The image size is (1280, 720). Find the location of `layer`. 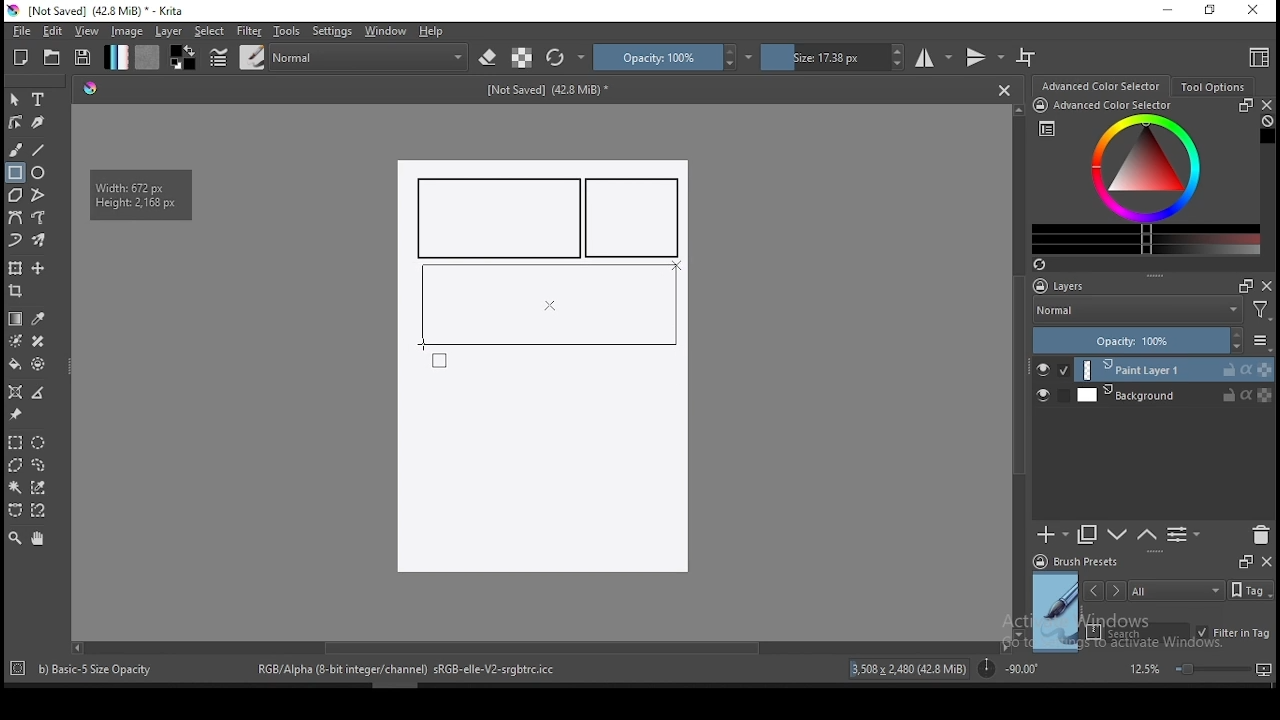

layer is located at coordinates (1174, 395).